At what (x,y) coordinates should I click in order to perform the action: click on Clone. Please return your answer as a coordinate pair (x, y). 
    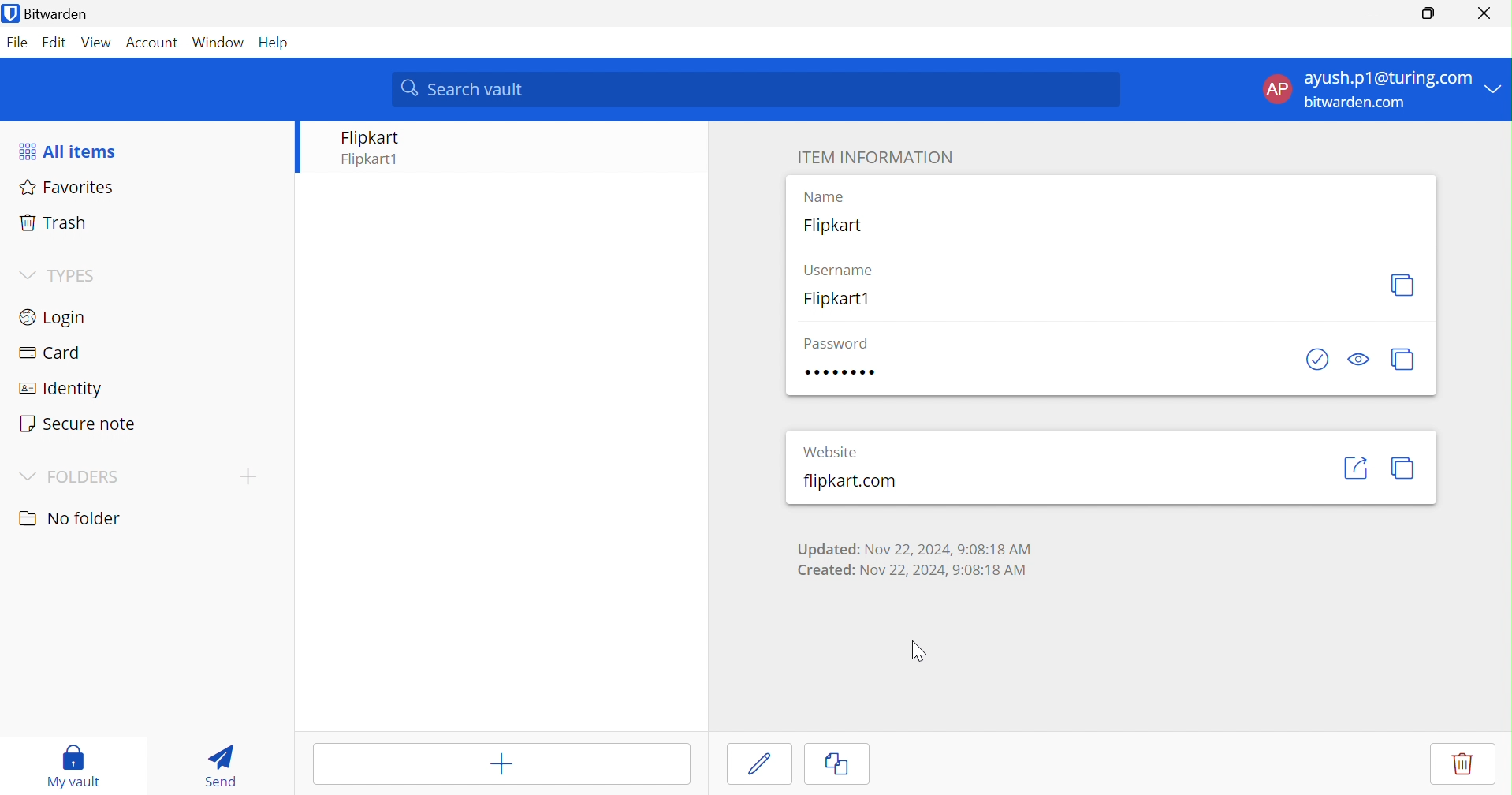
    Looking at the image, I should click on (839, 767).